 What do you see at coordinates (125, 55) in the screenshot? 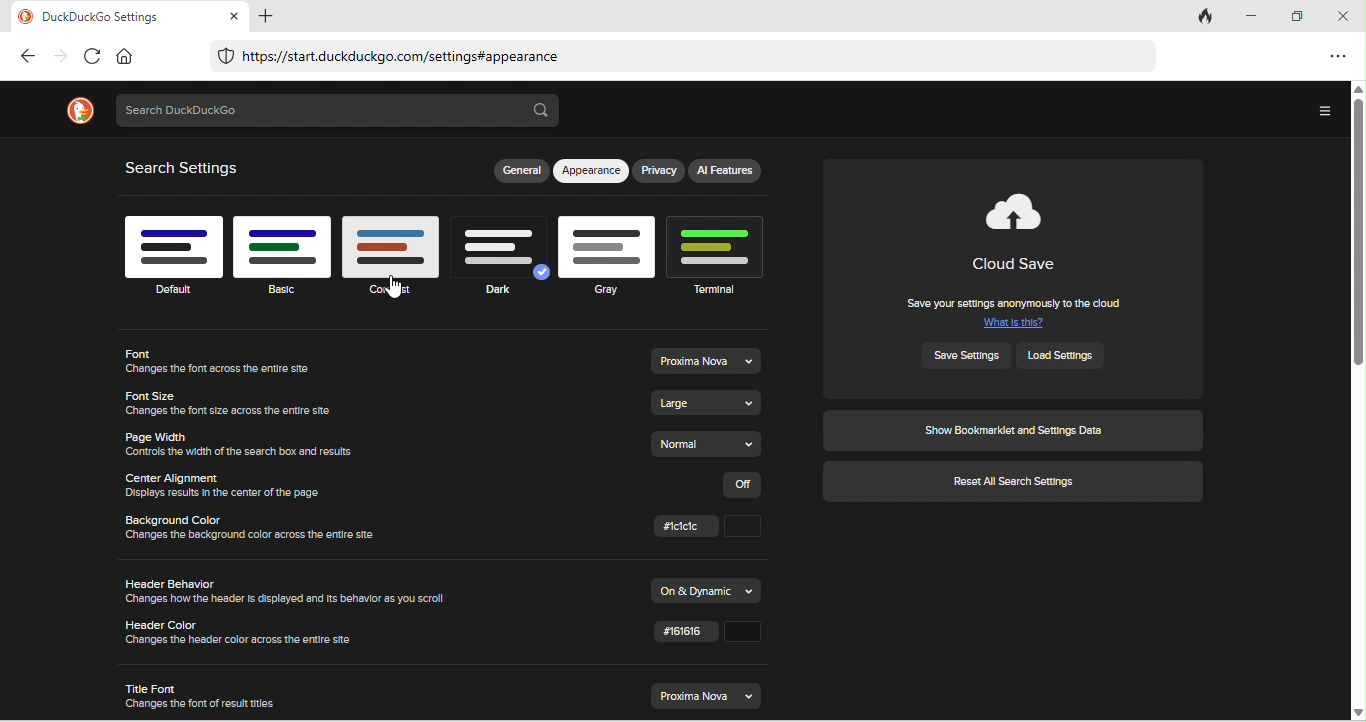
I see `home` at bounding box center [125, 55].